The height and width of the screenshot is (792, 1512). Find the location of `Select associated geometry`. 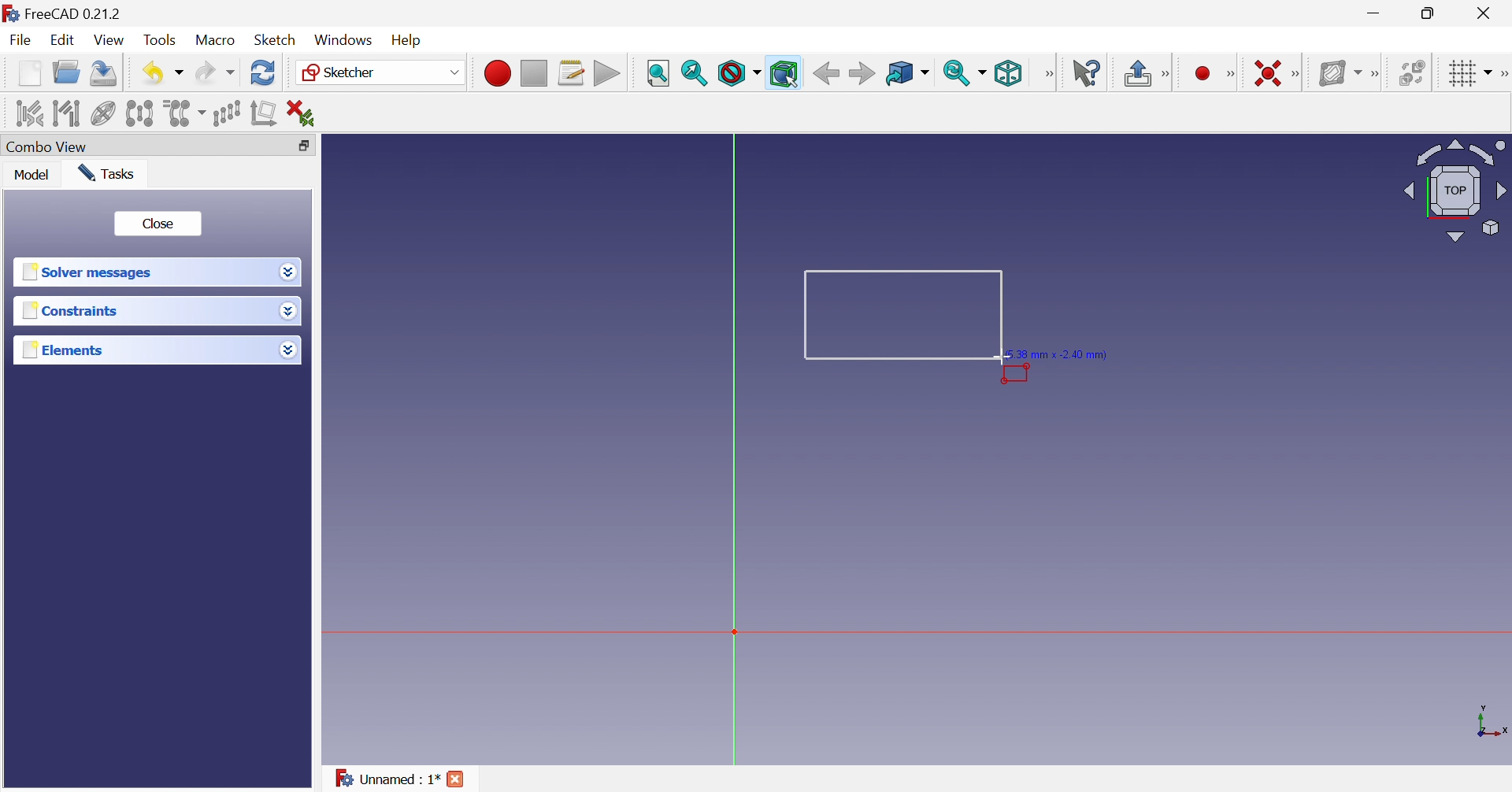

Select associated geometry is located at coordinates (67, 113).